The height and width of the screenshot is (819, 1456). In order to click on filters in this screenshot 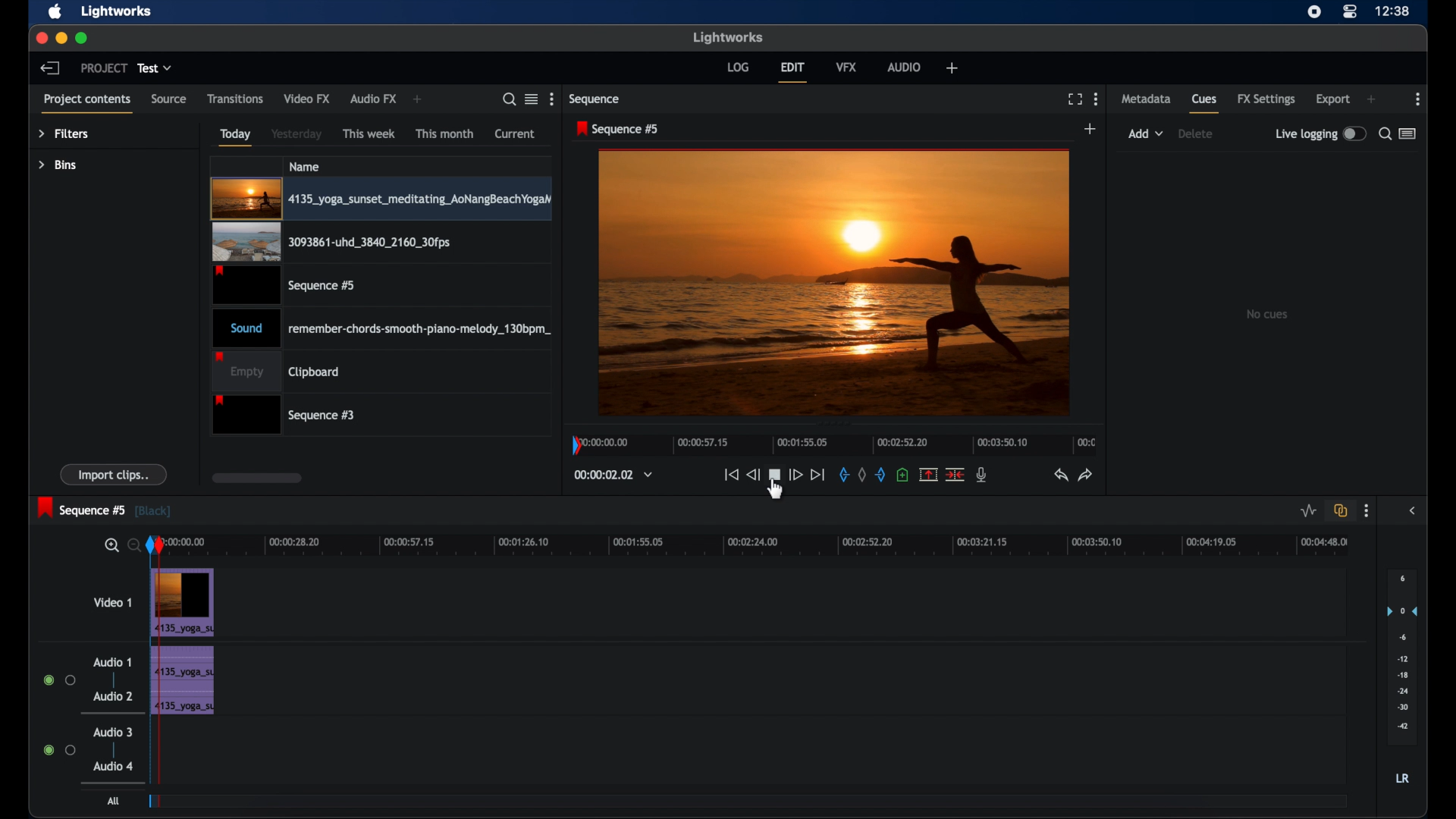, I will do `click(63, 134)`.